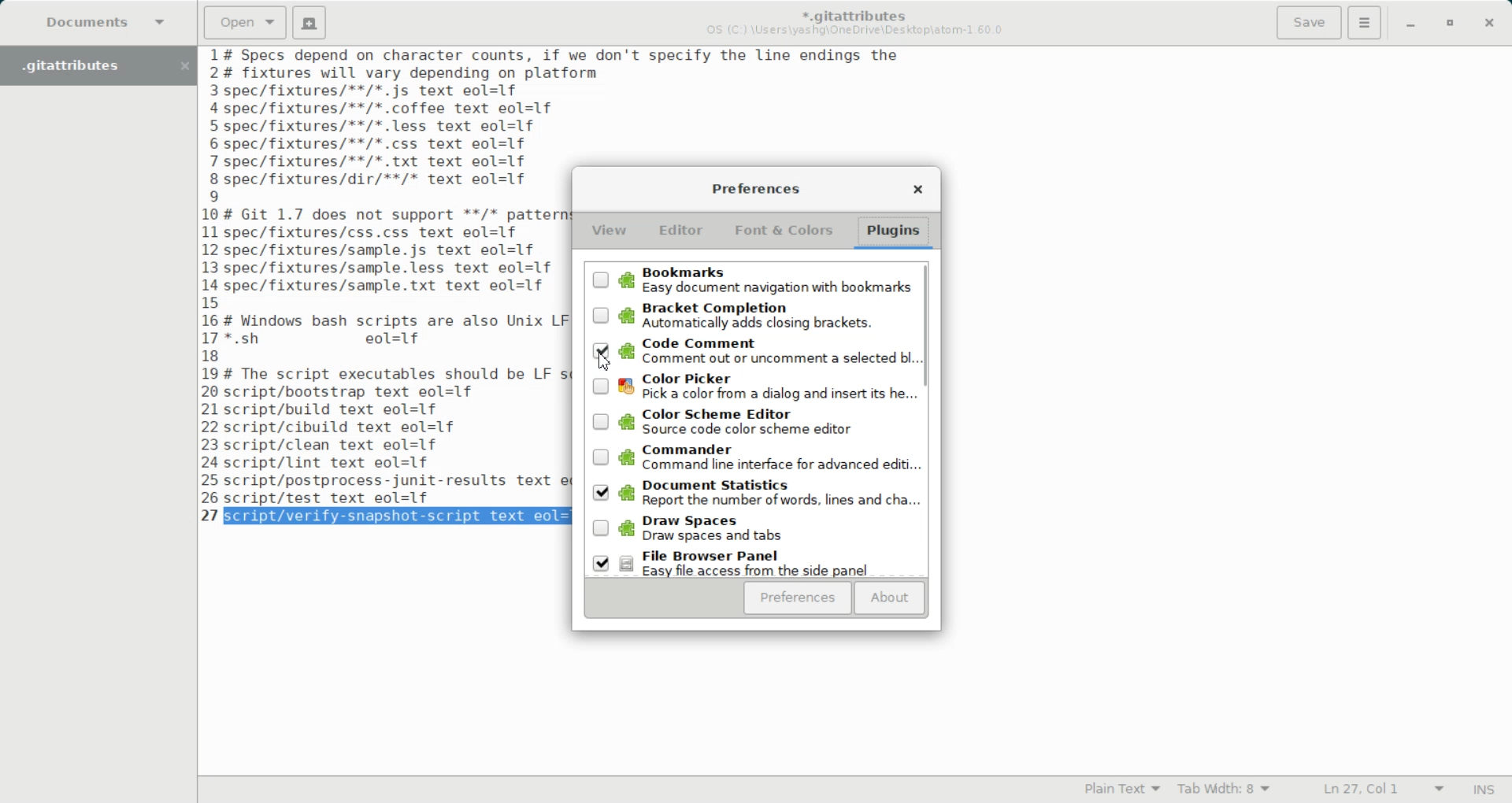 This screenshot has height=803, width=1512. I want to click on Commander: Command line interface for advanced edit.., so click(749, 459).